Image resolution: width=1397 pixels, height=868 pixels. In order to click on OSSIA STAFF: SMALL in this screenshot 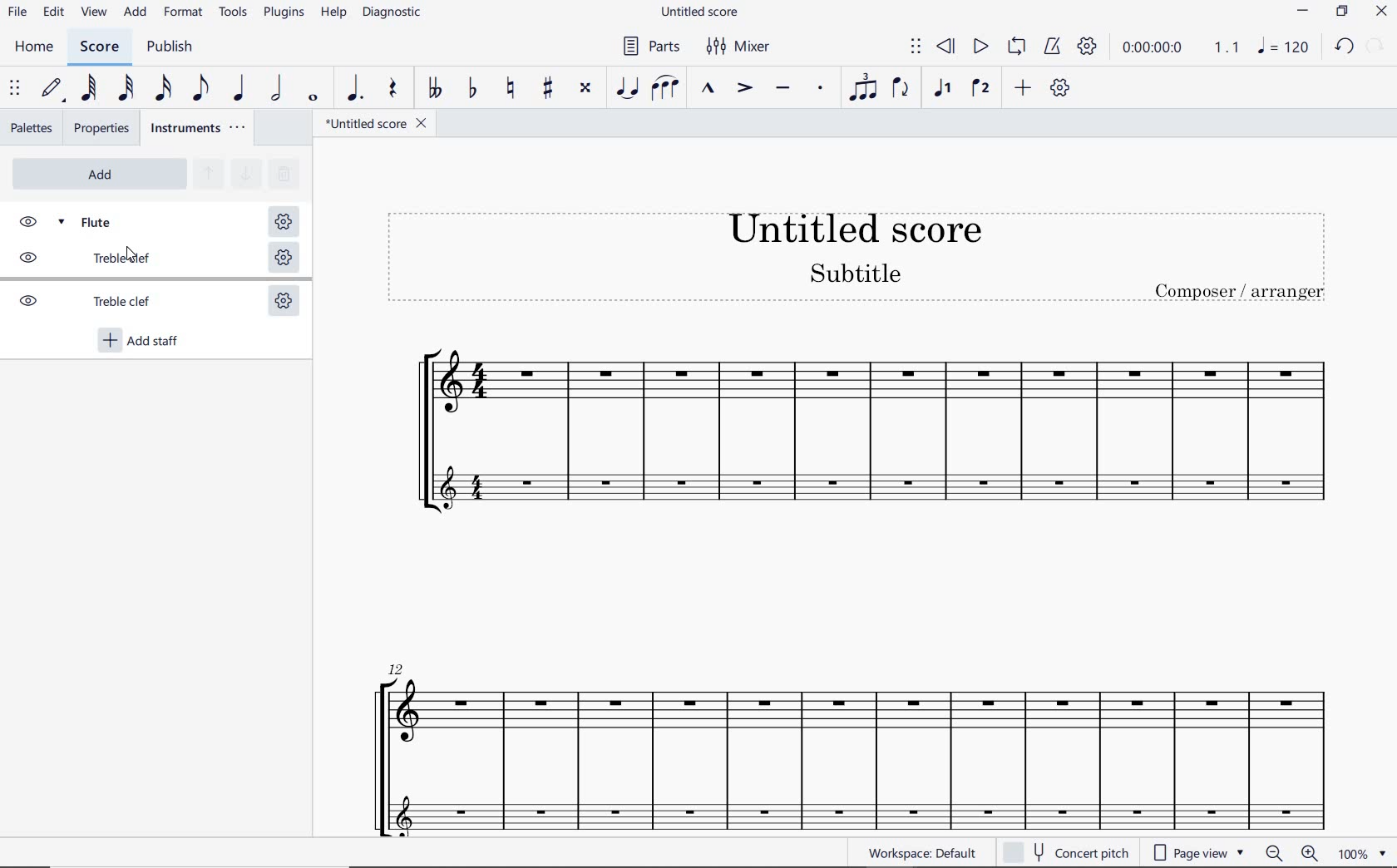, I will do `click(842, 808)`.